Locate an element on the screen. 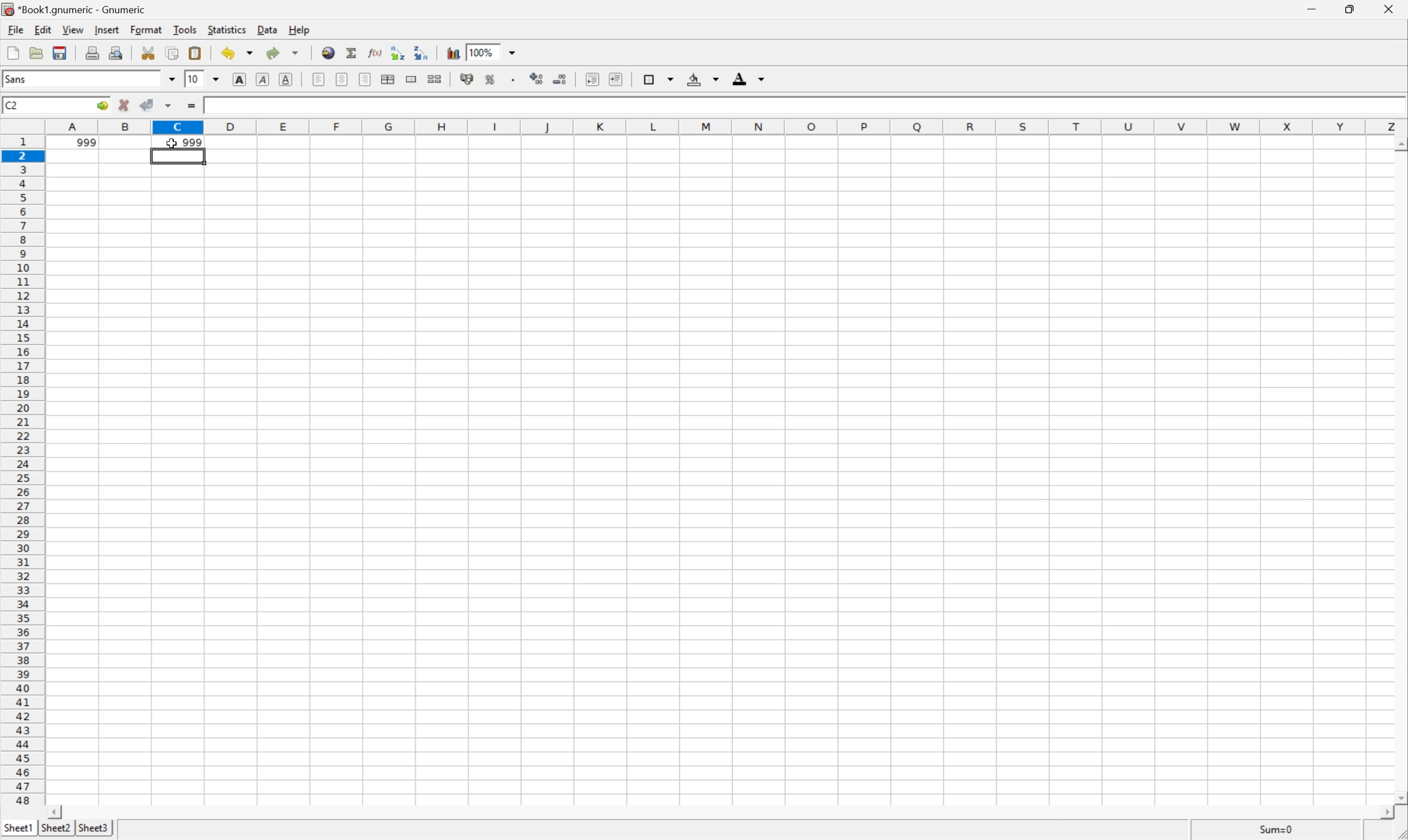 The height and width of the screenshot is (840, 1408). Sort the selected region in descending order based on the first column selected is located at coordinates (420, 53).